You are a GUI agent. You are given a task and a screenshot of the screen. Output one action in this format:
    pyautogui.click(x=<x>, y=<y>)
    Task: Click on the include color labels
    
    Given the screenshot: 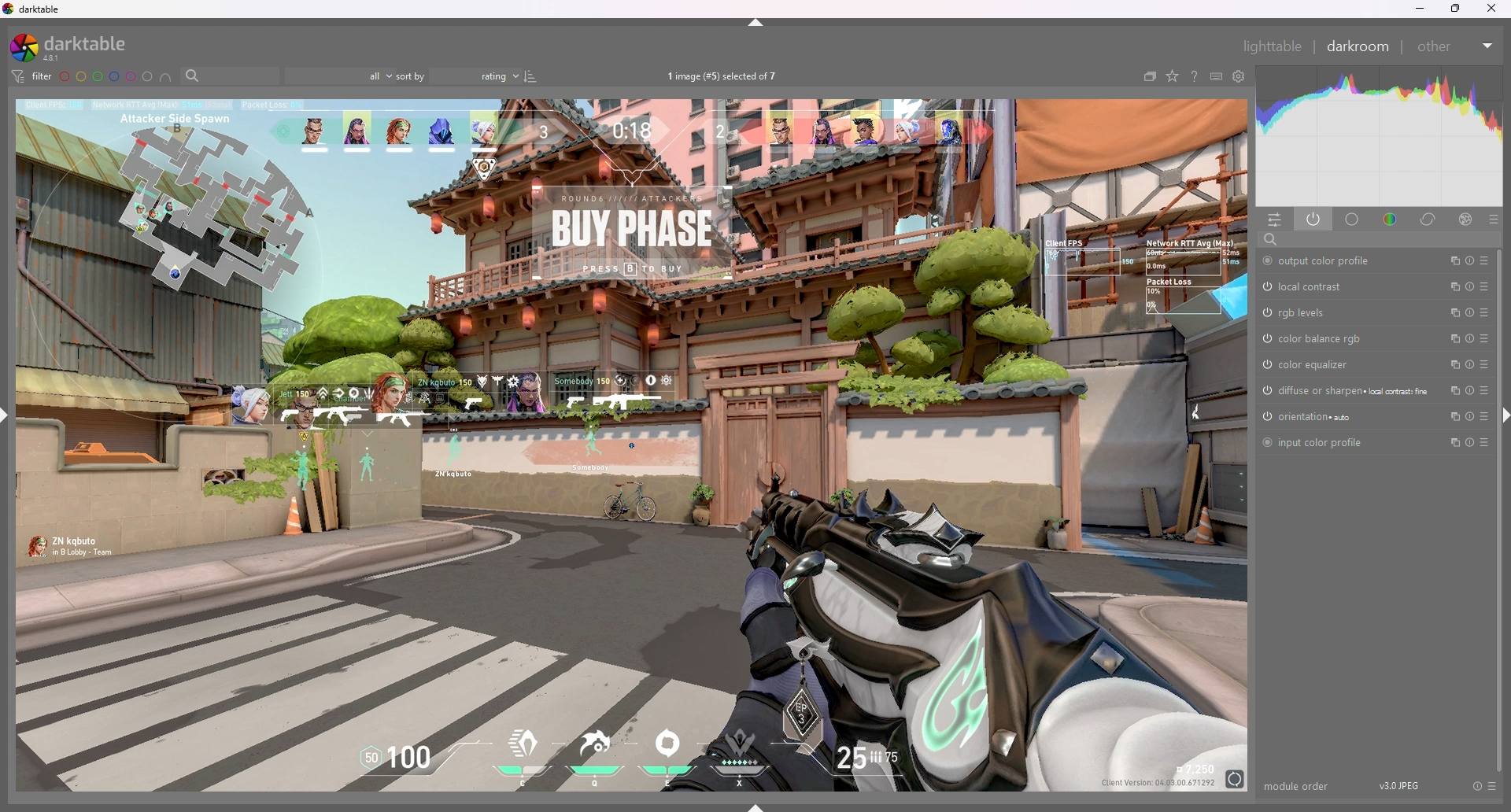 What is the action you would take?
    pyautogui.click(x=165, y=76)
    